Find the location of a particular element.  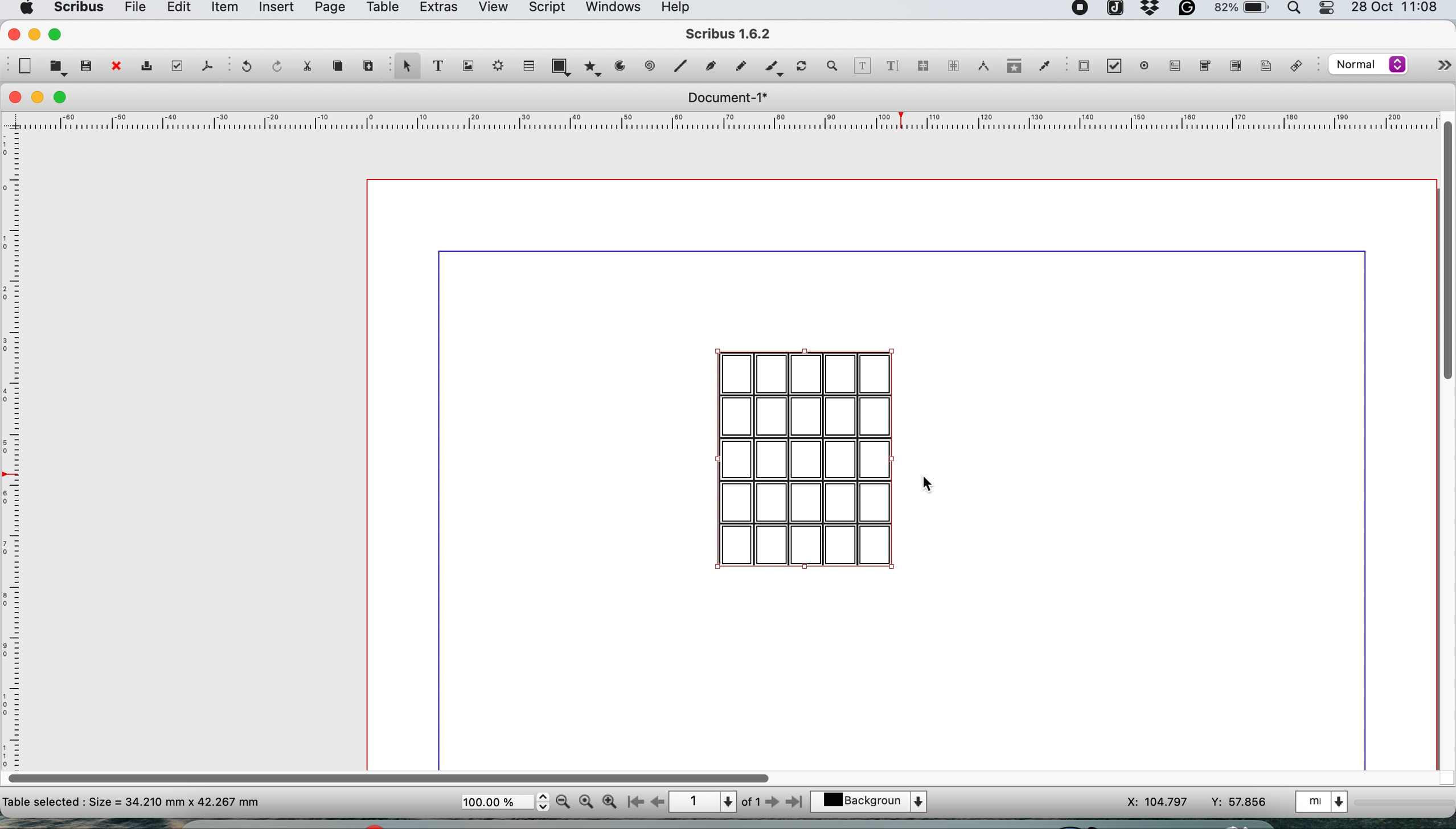

document 1 is located at coordinates (727, 98).